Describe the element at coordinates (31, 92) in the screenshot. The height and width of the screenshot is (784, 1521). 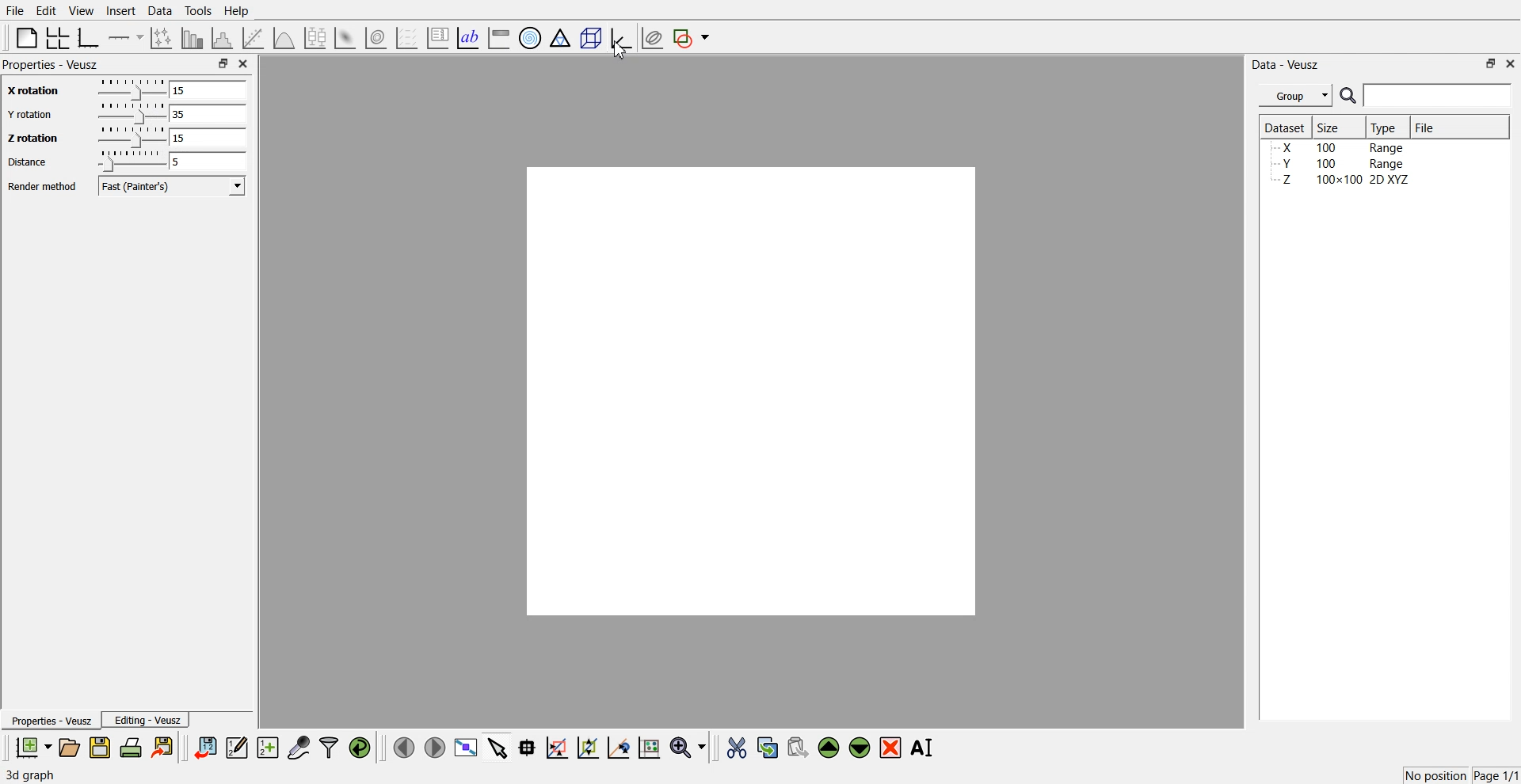
I see `X rotation` at that location.